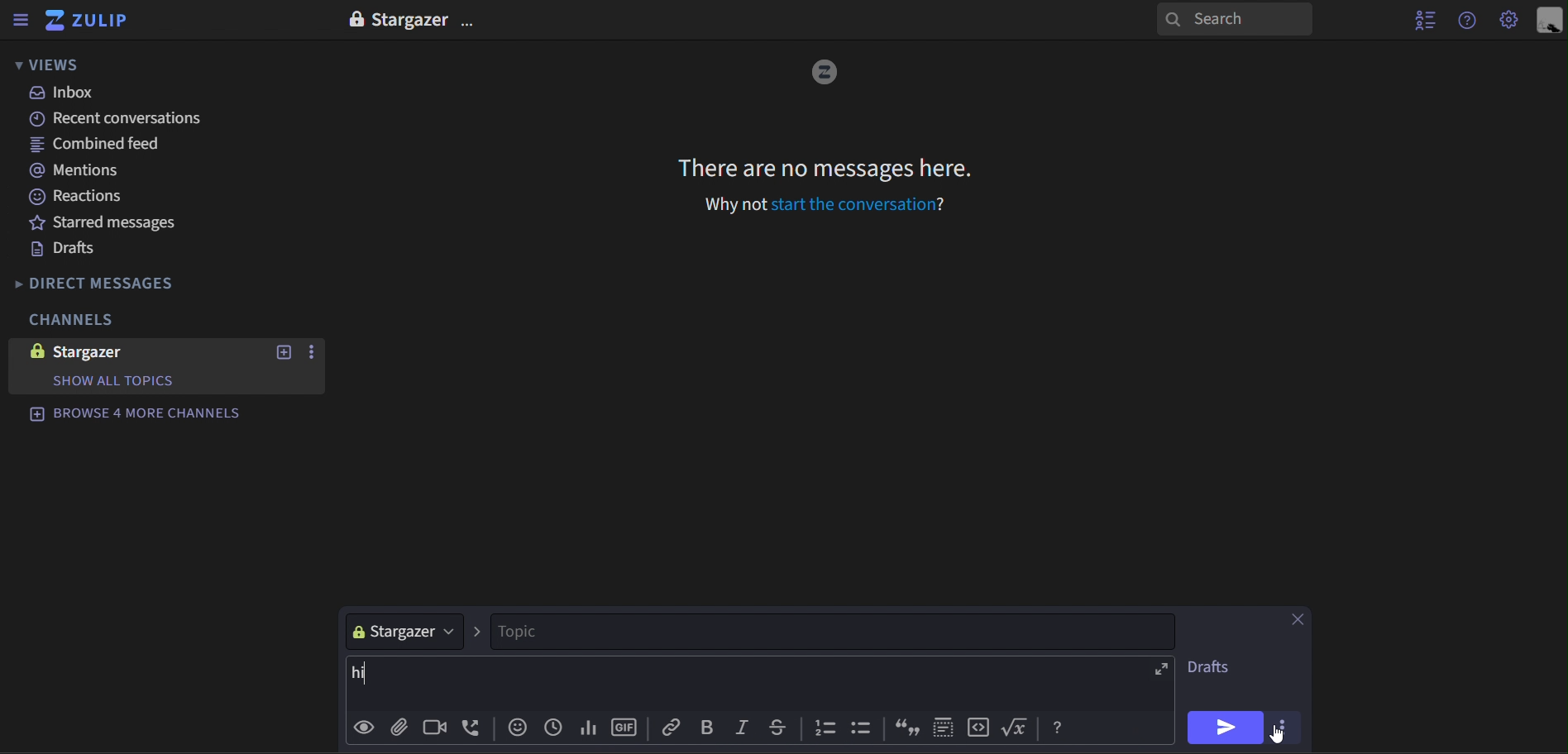 This screenshot has height=754, width=1568. What do you see at coordinates (89, 21) in the screenshot?
I see `zulip` at bounding box center [89, 21].